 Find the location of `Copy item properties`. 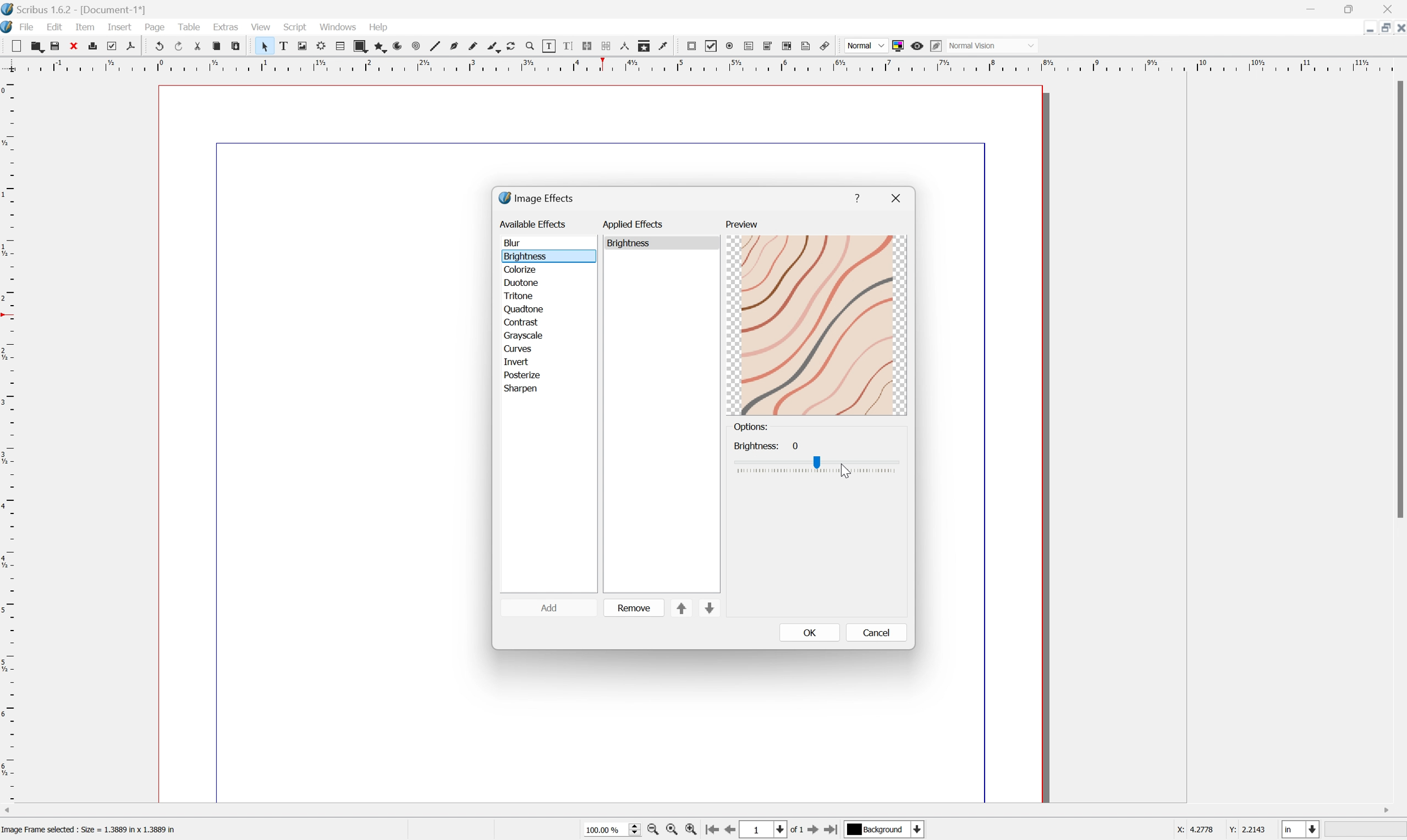

Copy item properties is located at coordinates (647, 46).